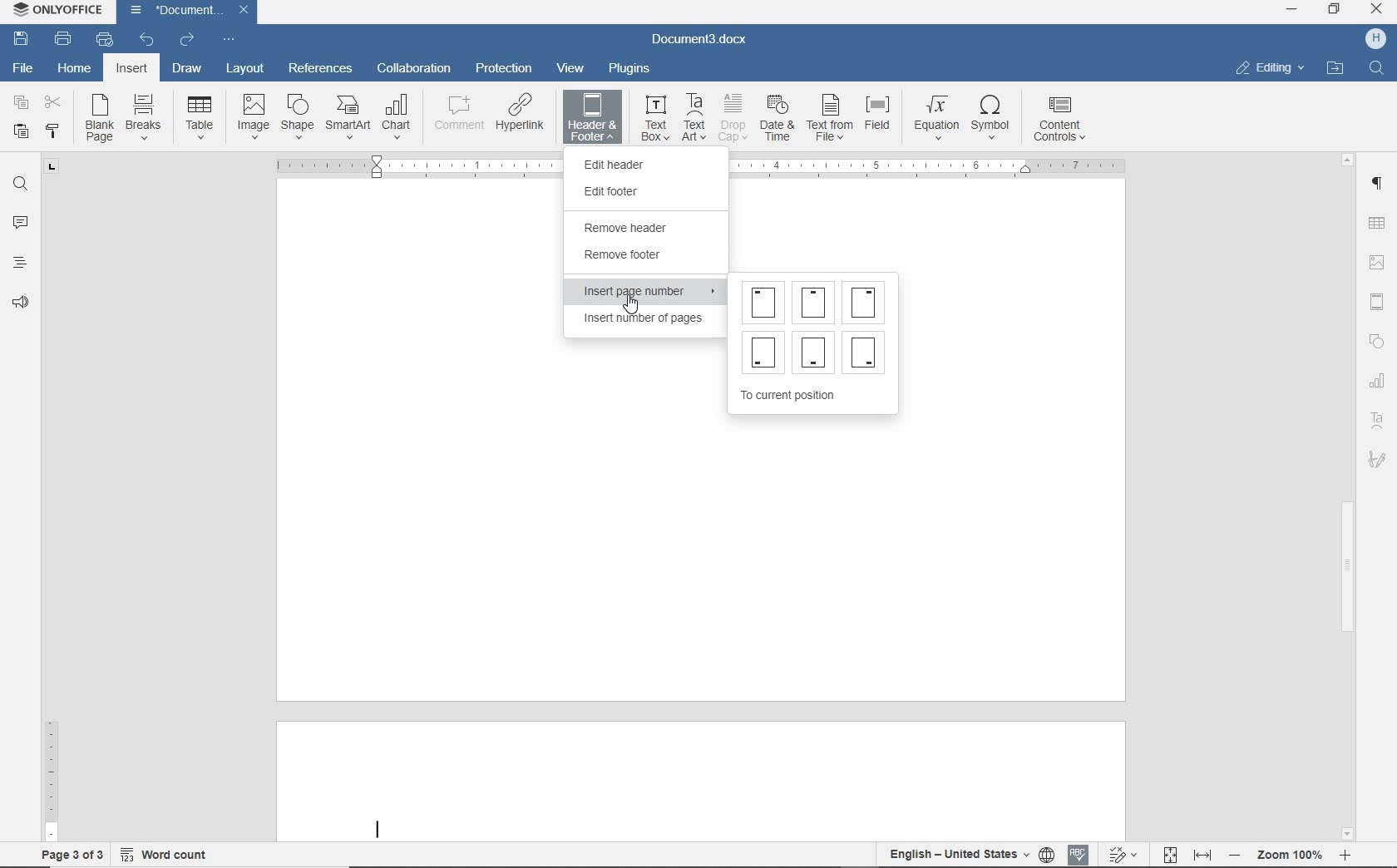  What do you see at coordinates (867, 352) in the screenshot?
I see `Page number at bottom right` at bounding box center [867, 352].